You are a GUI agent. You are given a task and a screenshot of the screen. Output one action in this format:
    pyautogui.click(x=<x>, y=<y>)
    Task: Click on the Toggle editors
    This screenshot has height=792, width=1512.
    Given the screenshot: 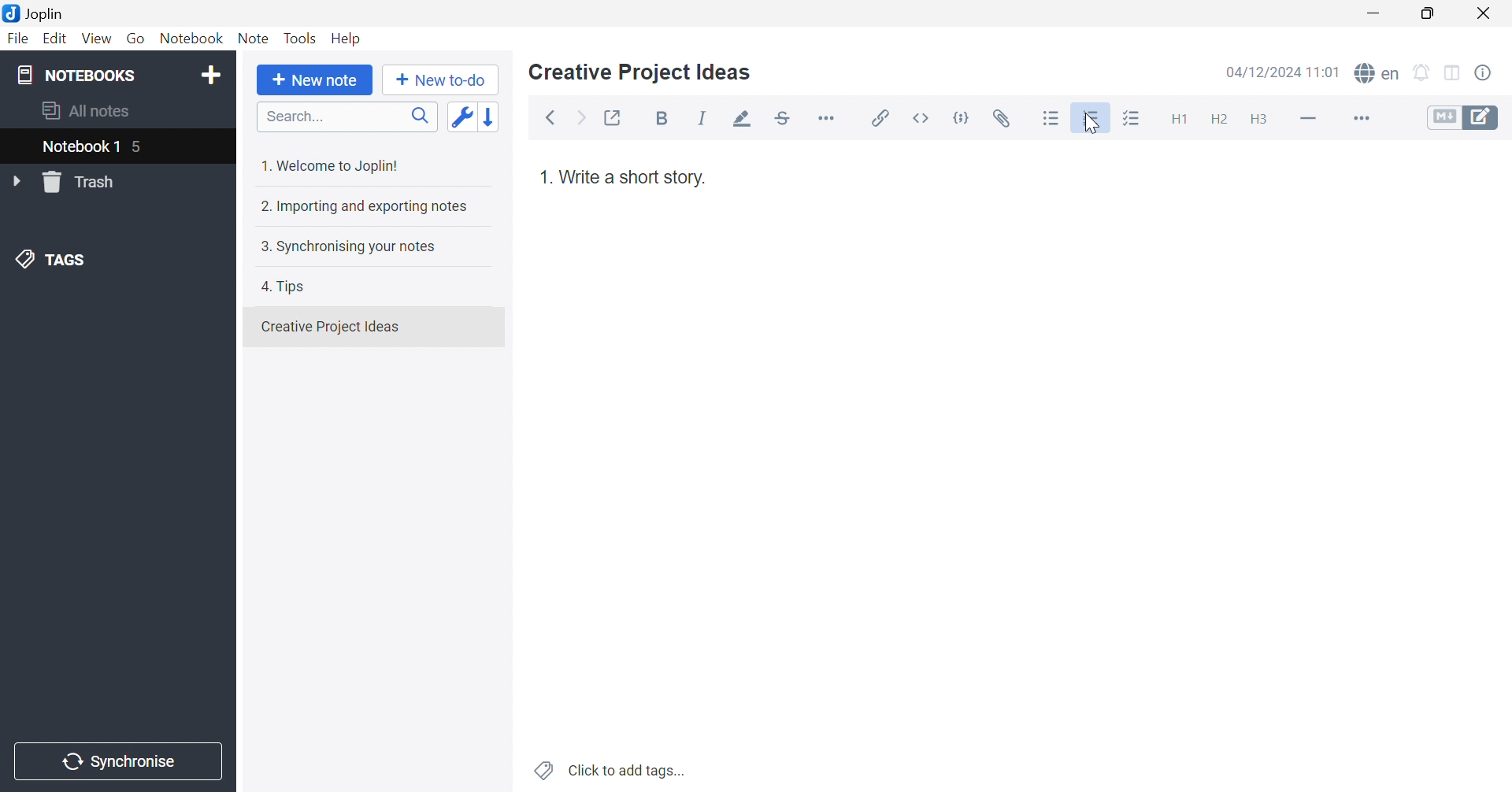 What is the action you would take?
    pyautogui.click(x=1463, y=118)
    